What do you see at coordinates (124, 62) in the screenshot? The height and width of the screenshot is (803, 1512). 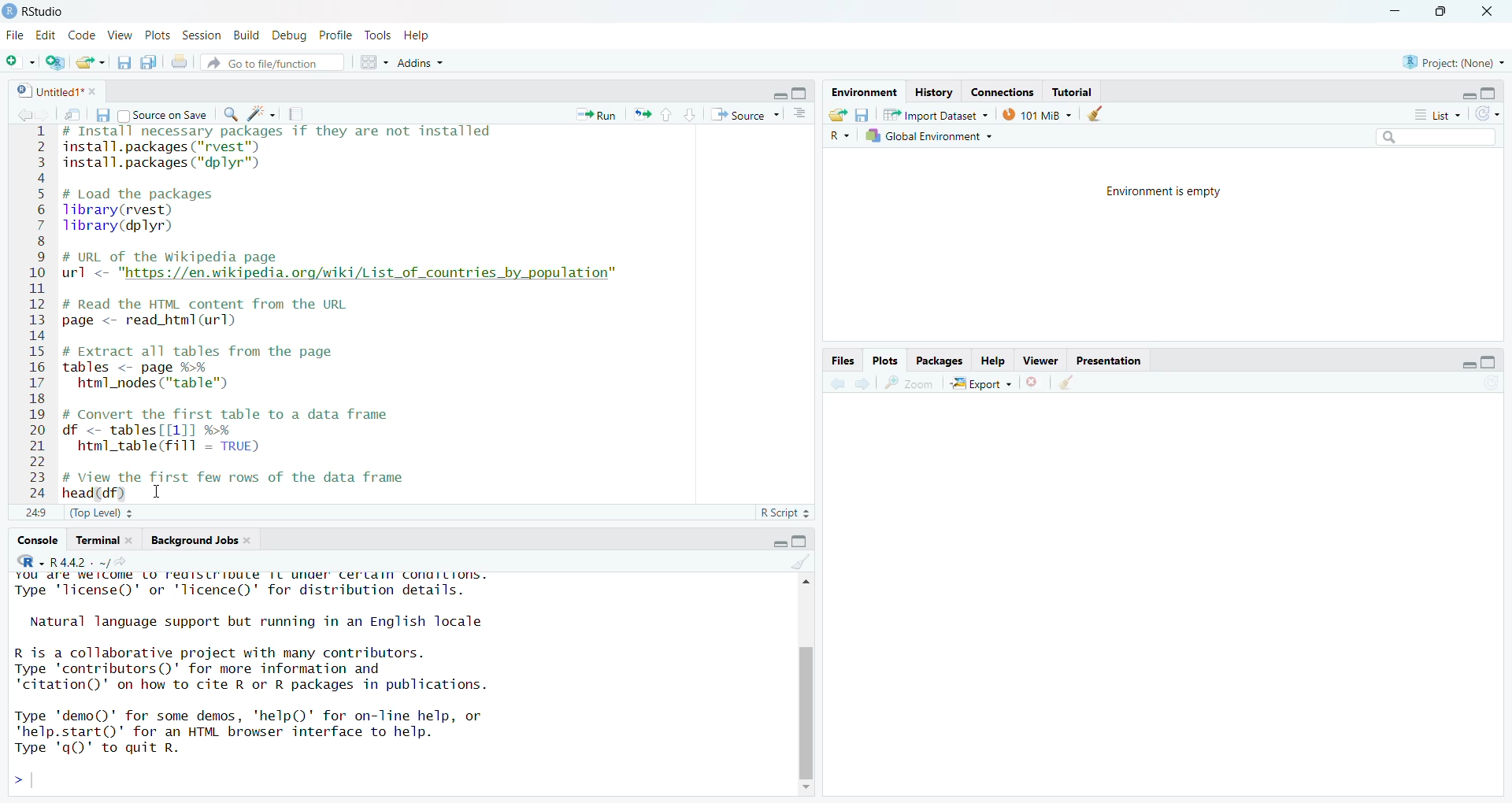 I see `save` at bounding box center [124, 62].